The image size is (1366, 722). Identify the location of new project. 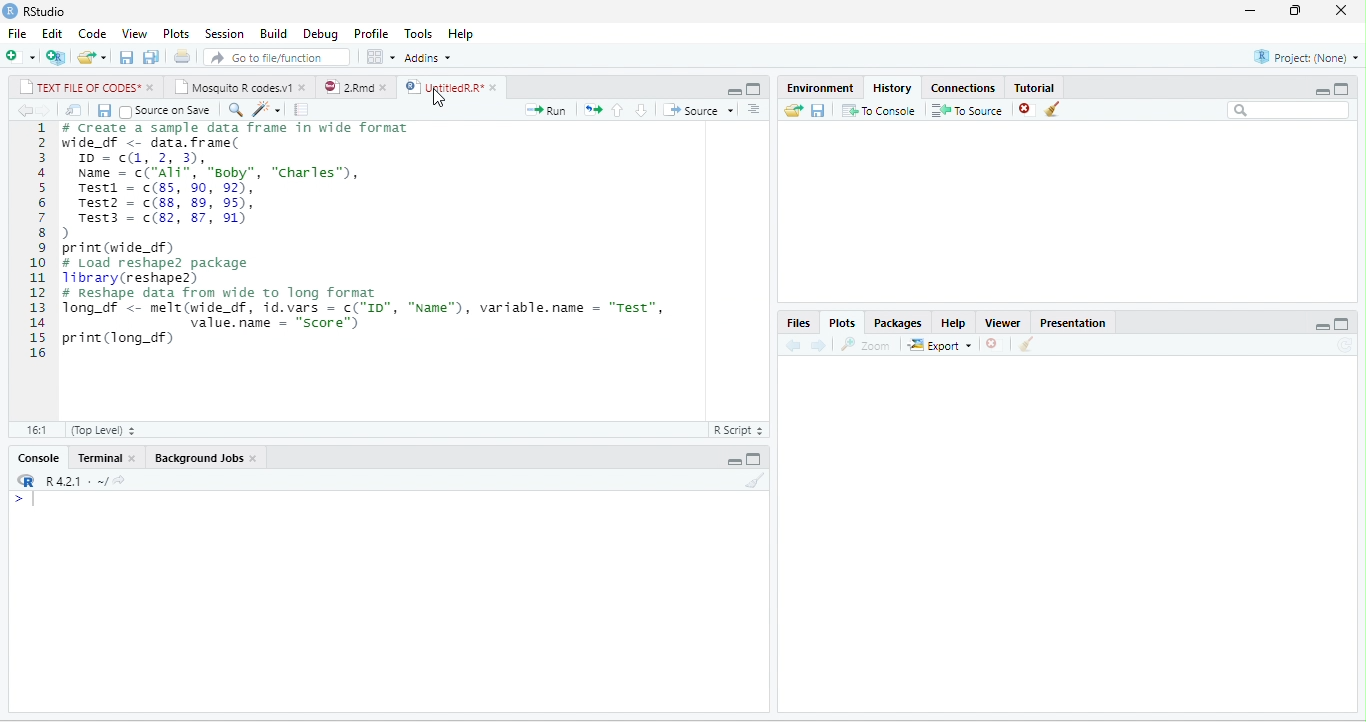
(56, 57).